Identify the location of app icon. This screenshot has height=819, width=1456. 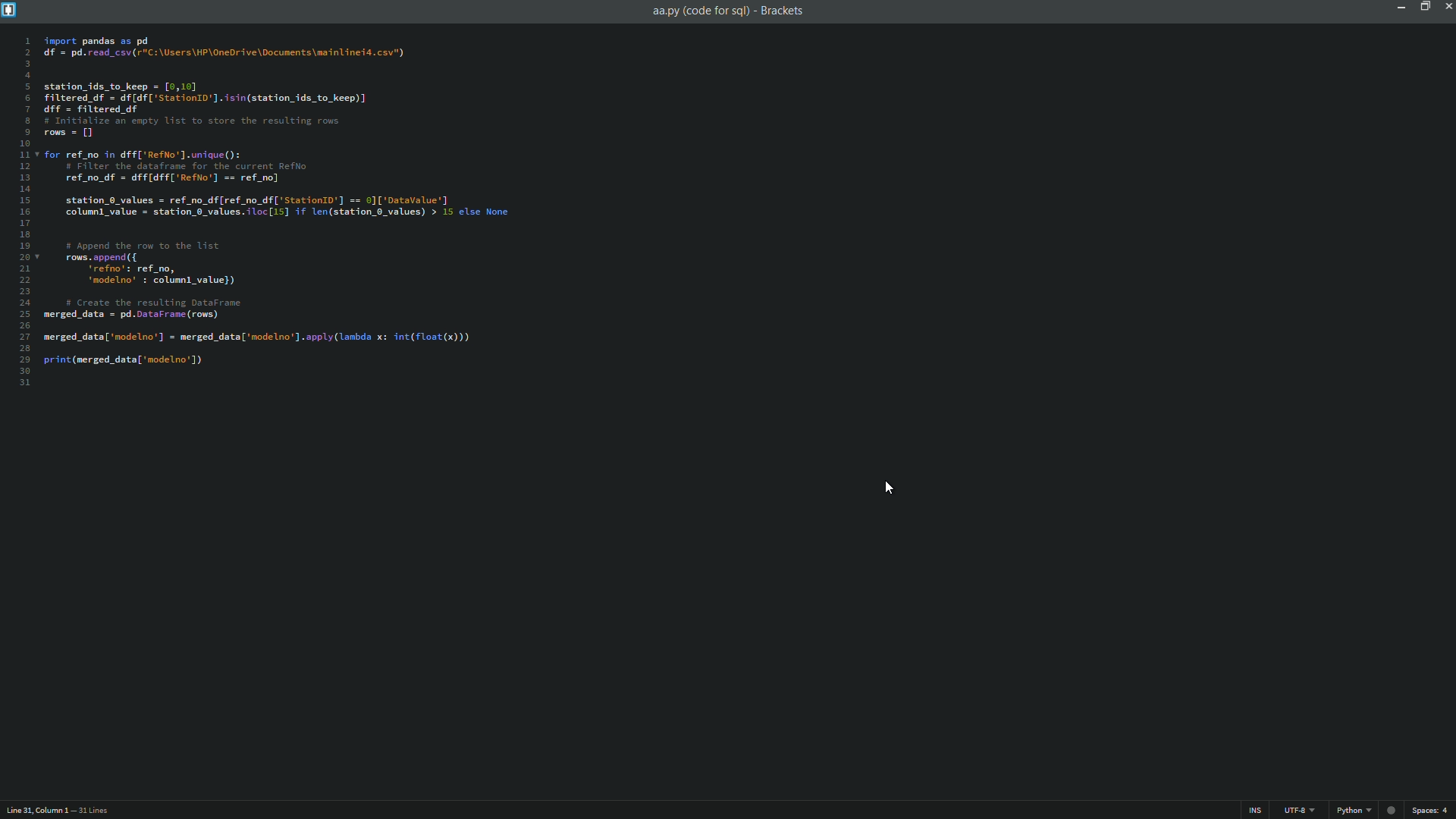
(9, 9).